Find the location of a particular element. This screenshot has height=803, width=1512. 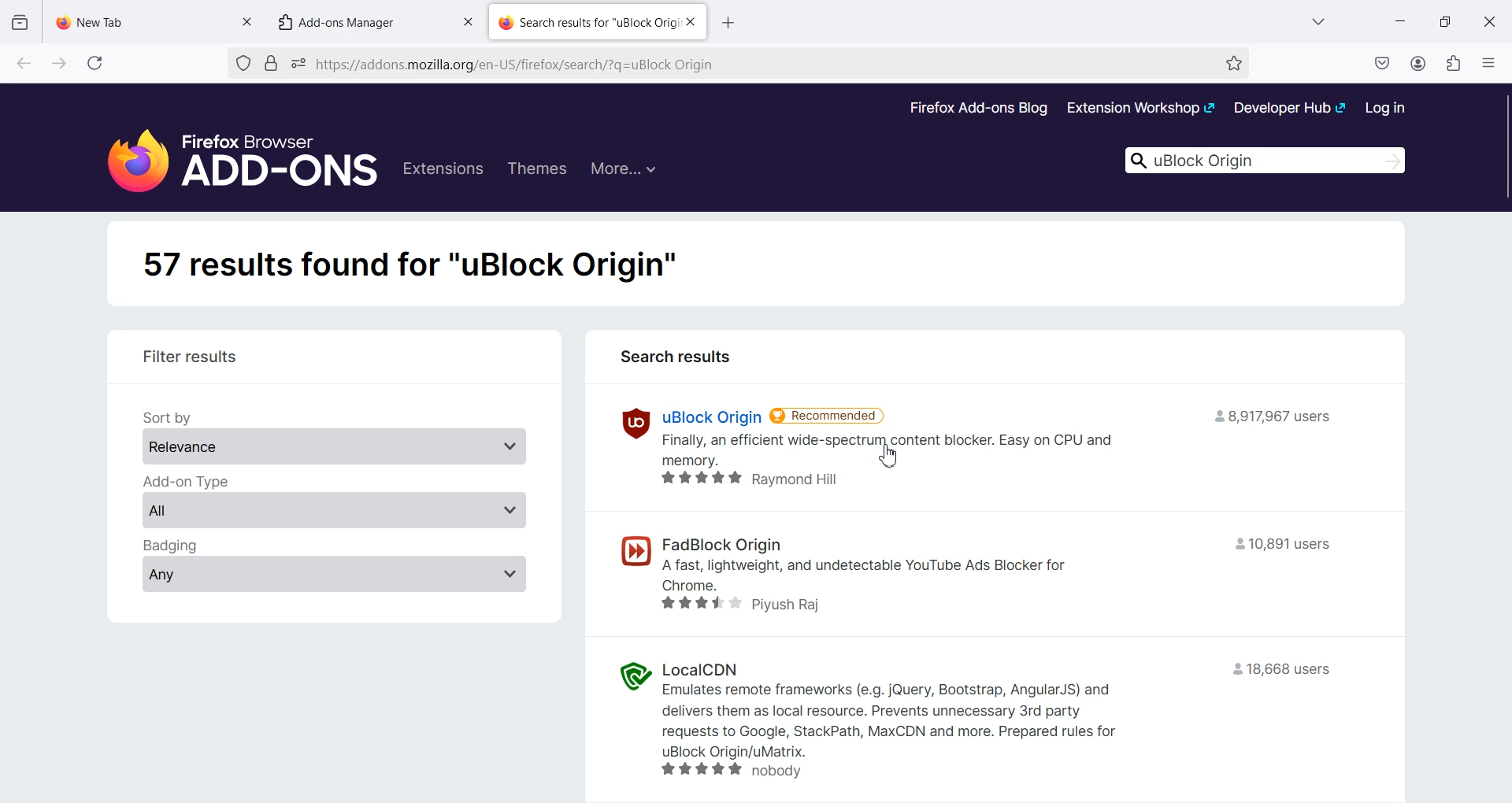

= 8,917,967 users is located at coordinates (1263, 420).